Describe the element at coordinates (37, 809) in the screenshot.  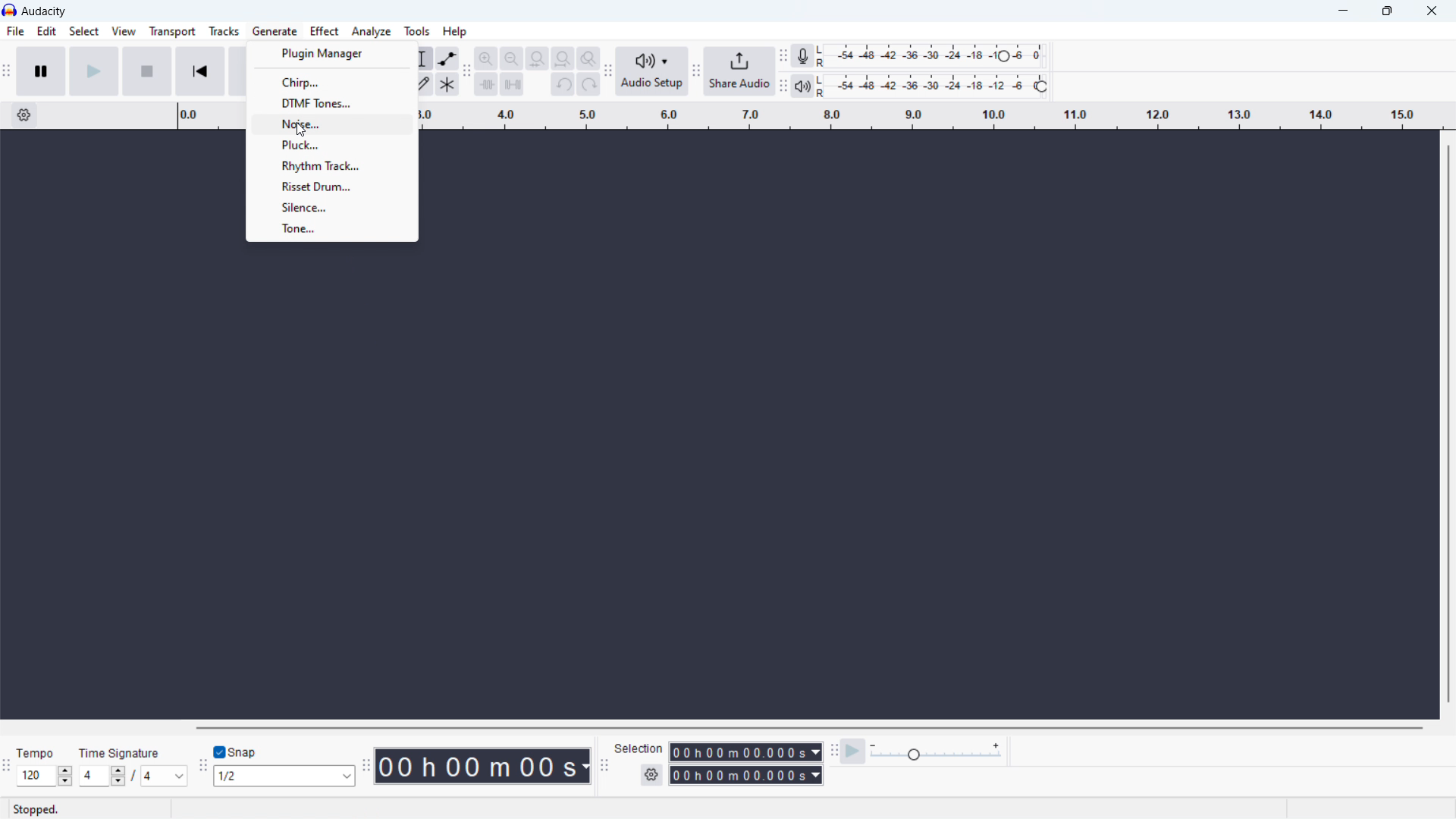
I see `Stopped` at that location.